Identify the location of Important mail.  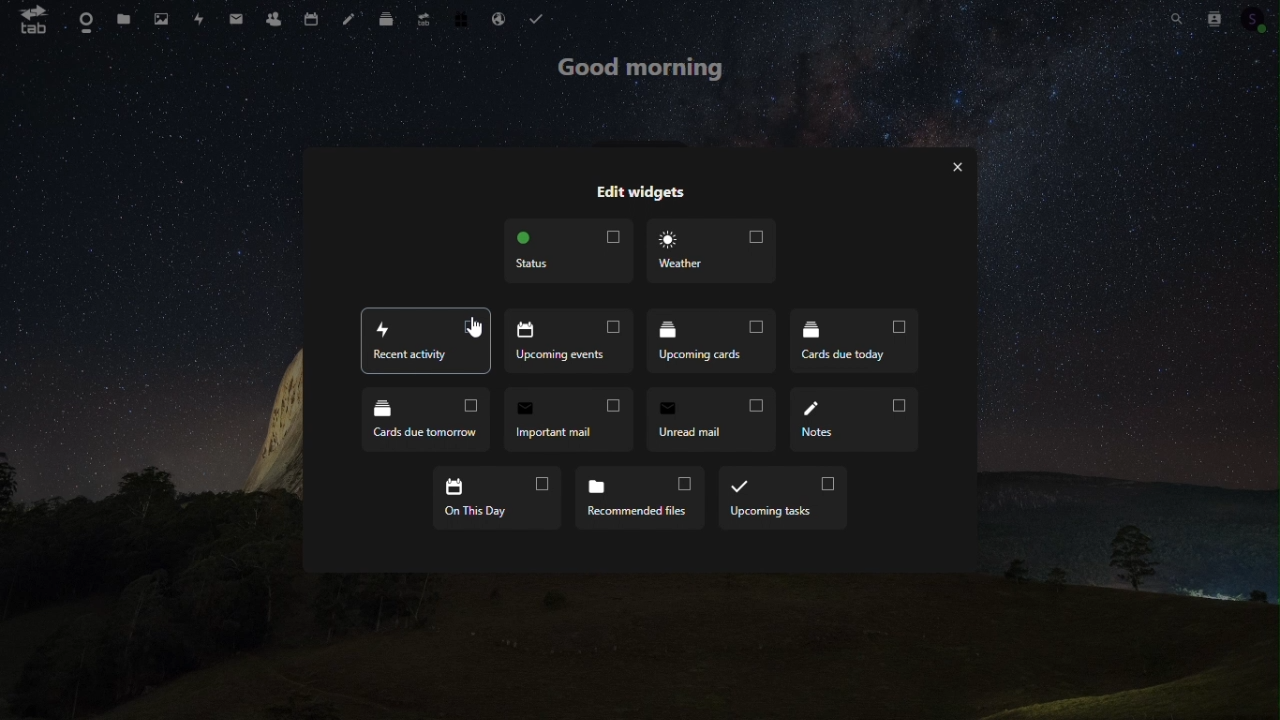
(566, 420).